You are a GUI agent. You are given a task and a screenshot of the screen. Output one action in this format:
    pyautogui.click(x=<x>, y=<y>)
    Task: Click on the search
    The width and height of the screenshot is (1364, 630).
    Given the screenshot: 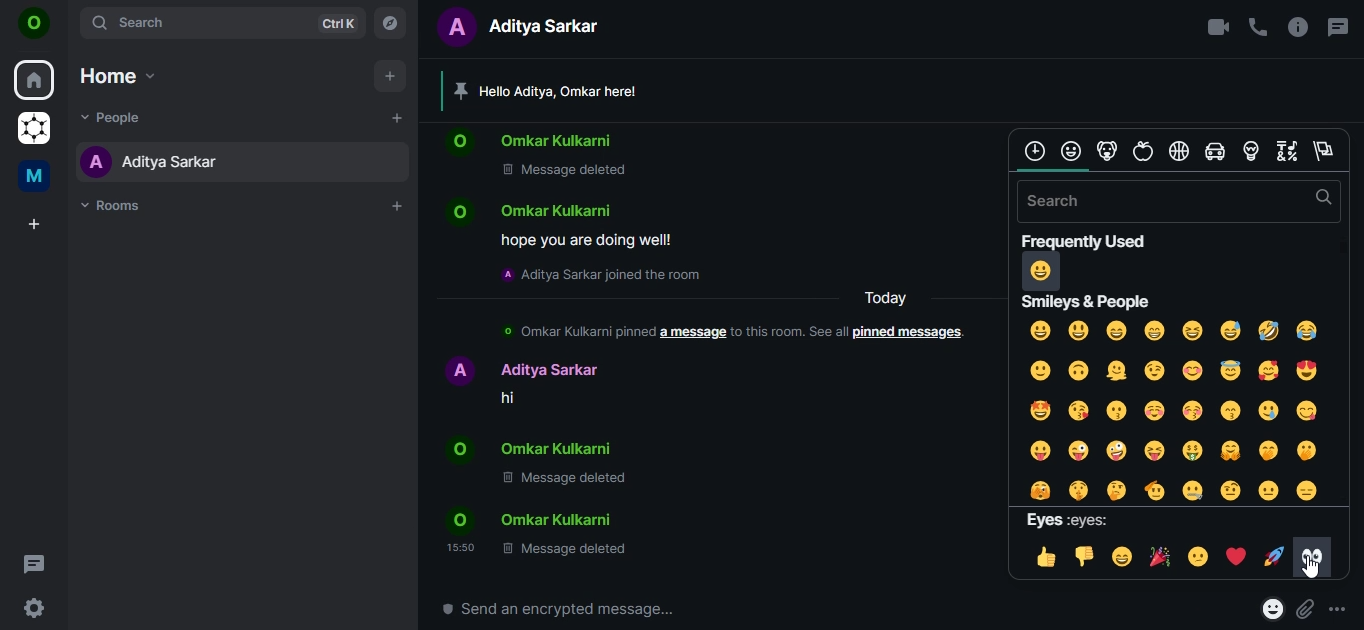 What is the action you would take?
    pyautogui.click(x=225, y=23)
    